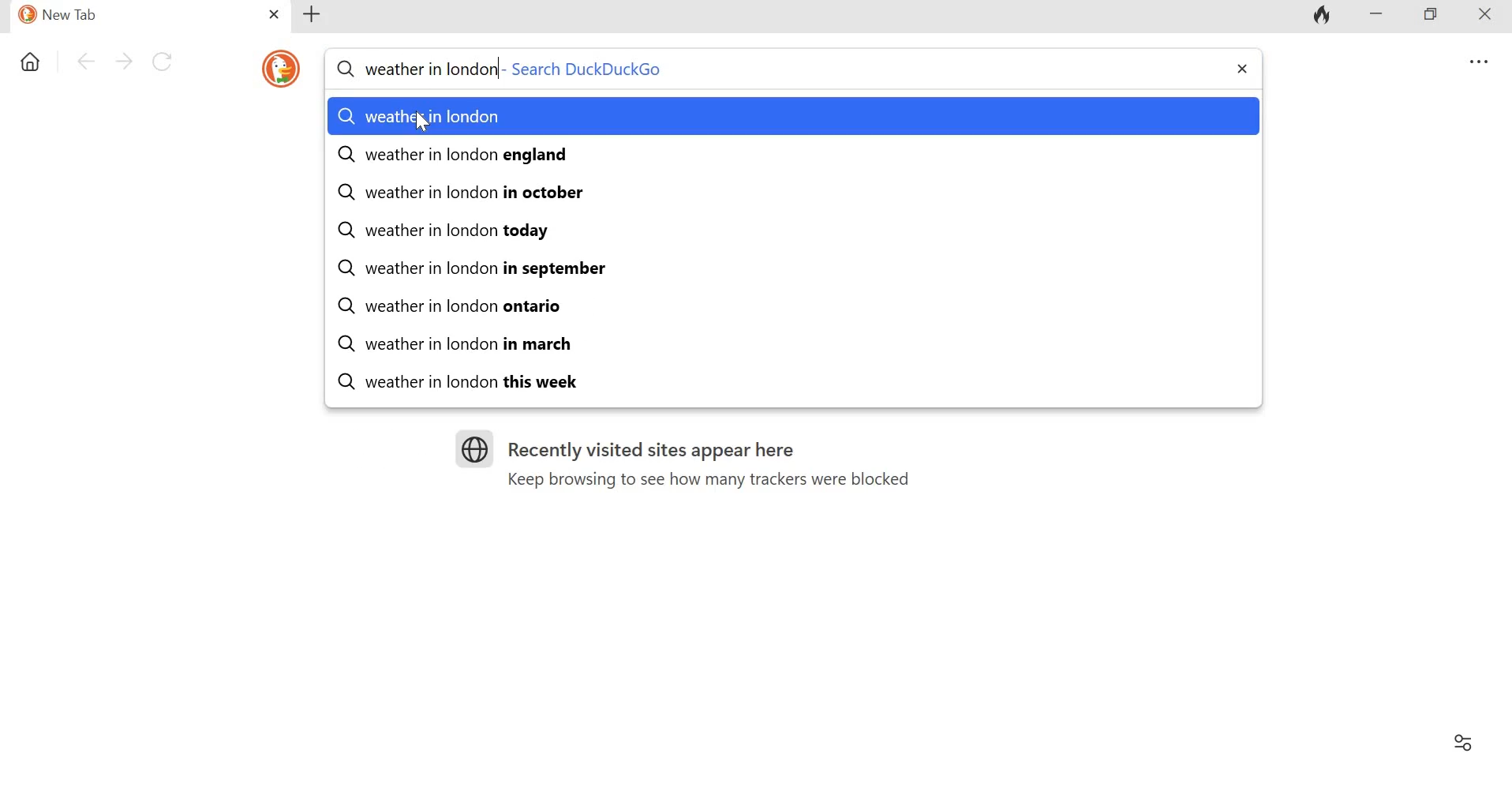 The image size is (1512, 791). Describe the element at coordinates (1432, 14) in the screenshot. I see `Maximize` at that location.